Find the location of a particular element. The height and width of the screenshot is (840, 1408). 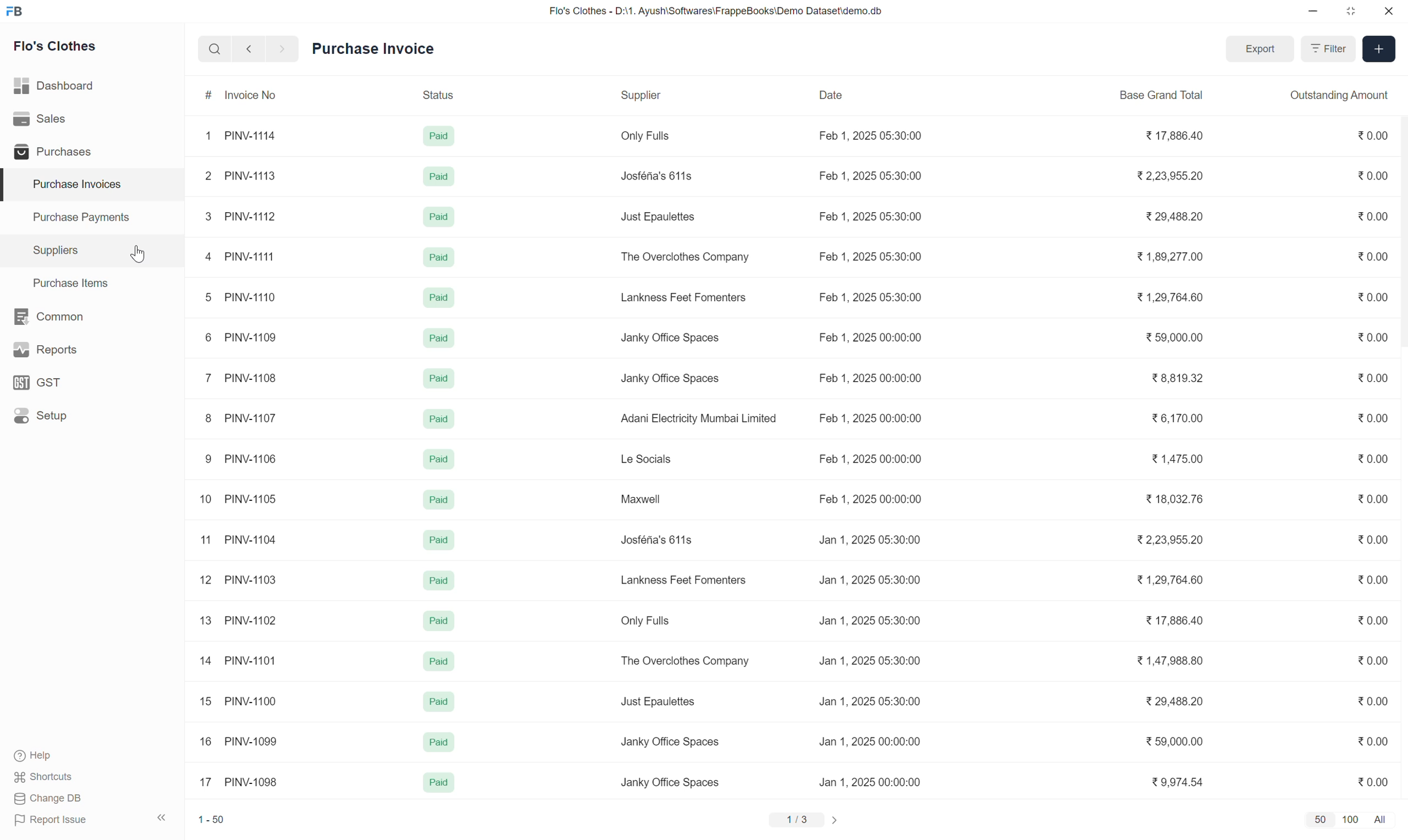

Setup is located at coordinates (40, 415).